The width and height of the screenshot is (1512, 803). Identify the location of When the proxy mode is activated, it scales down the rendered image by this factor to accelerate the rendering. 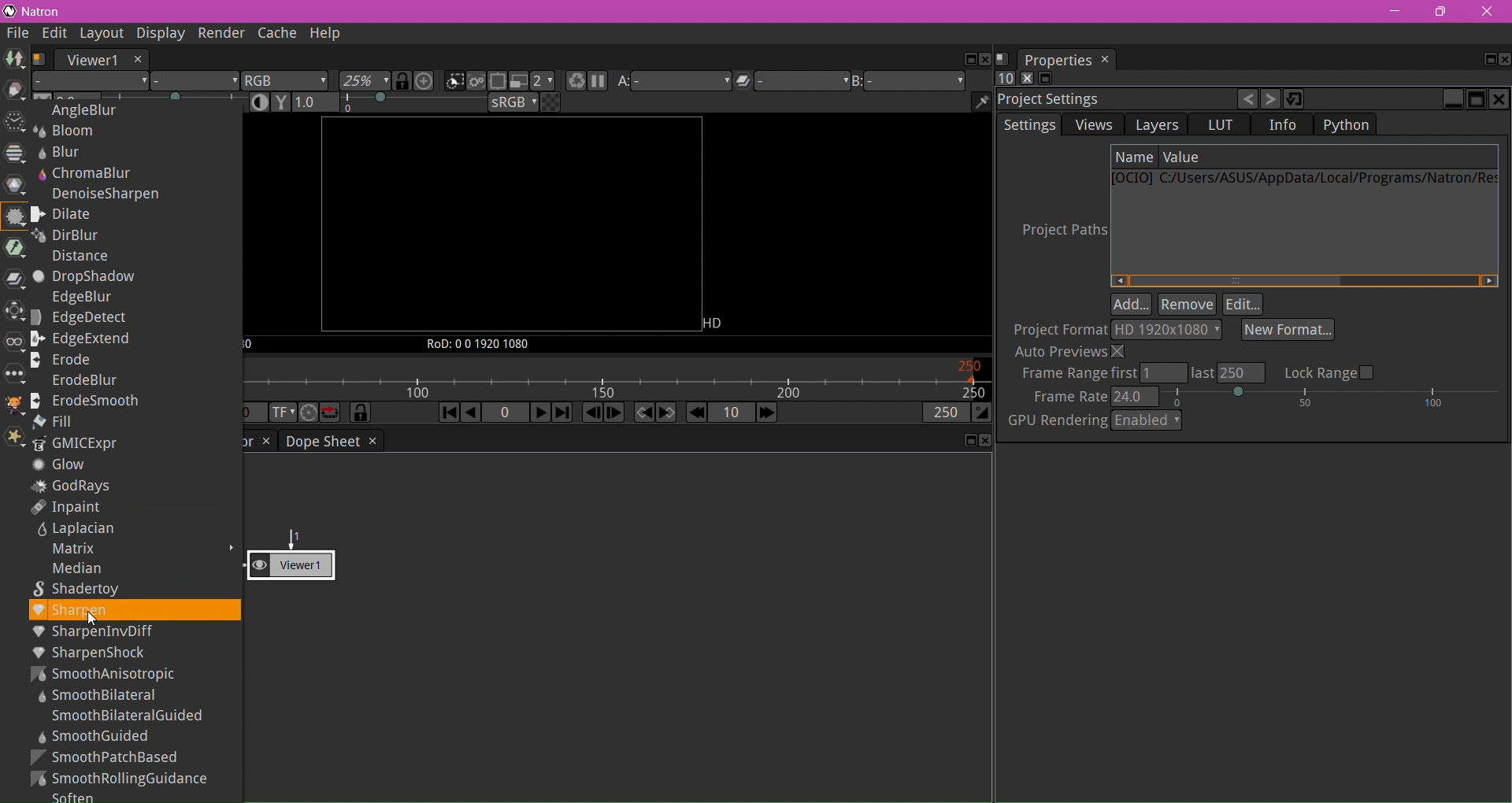
(543, 81).